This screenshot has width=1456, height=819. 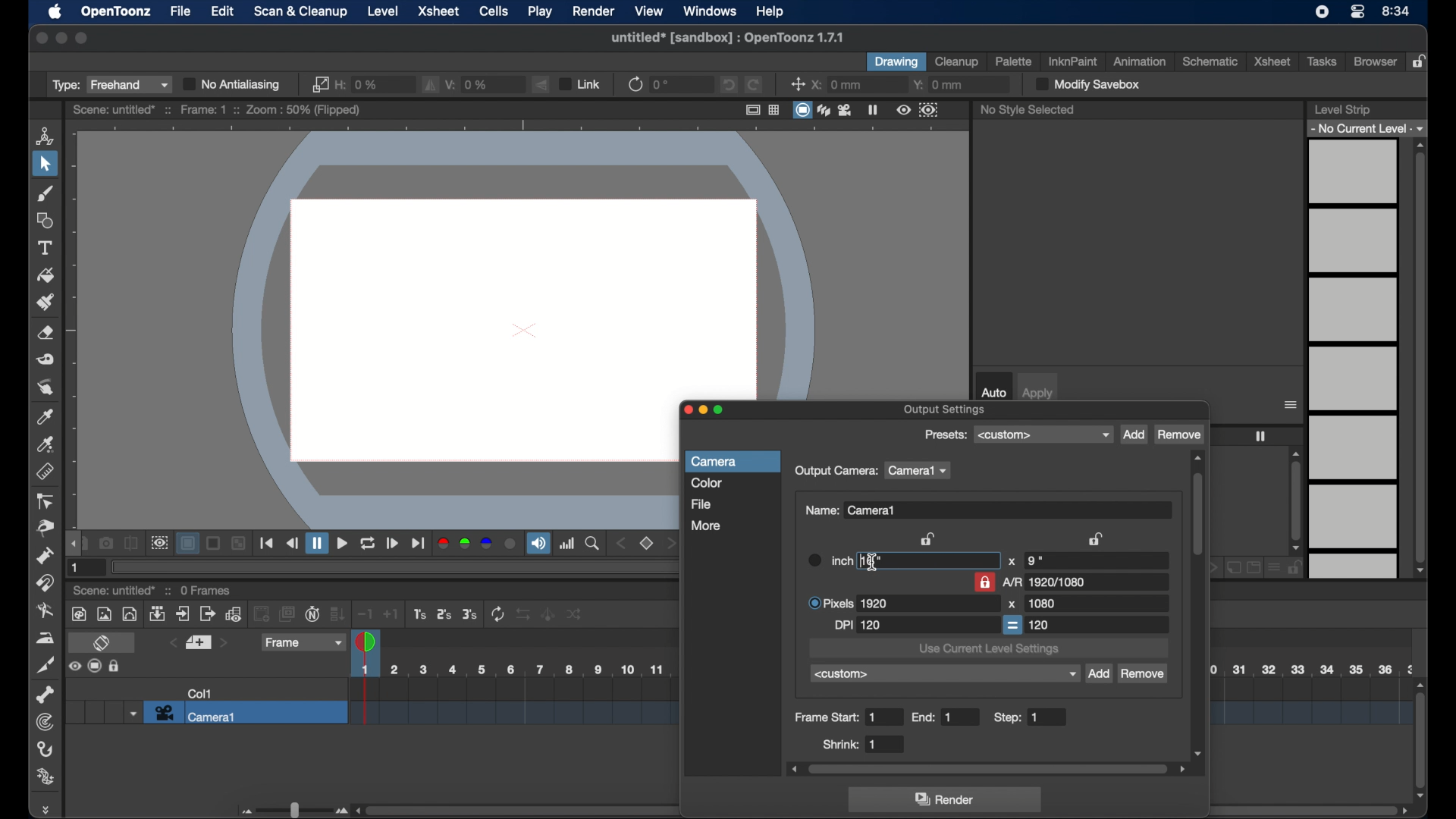 I want to click on , so click(x=1298, y=567).